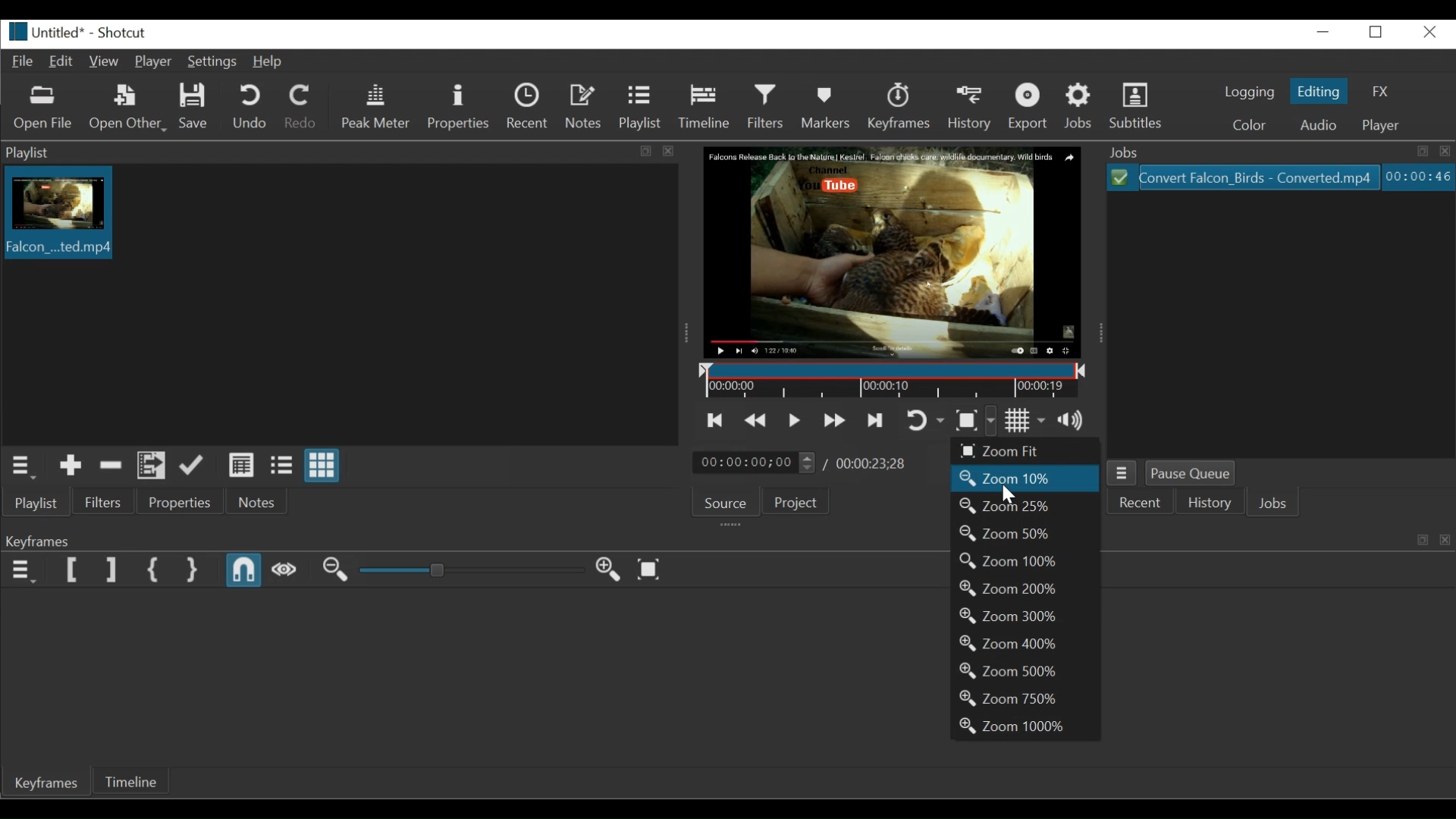 This screenshot has height=819, width=1456. What do you see at coordinates (322, 466) in the screenshot?
I see `View as icons` at bounding box center [322, 466].